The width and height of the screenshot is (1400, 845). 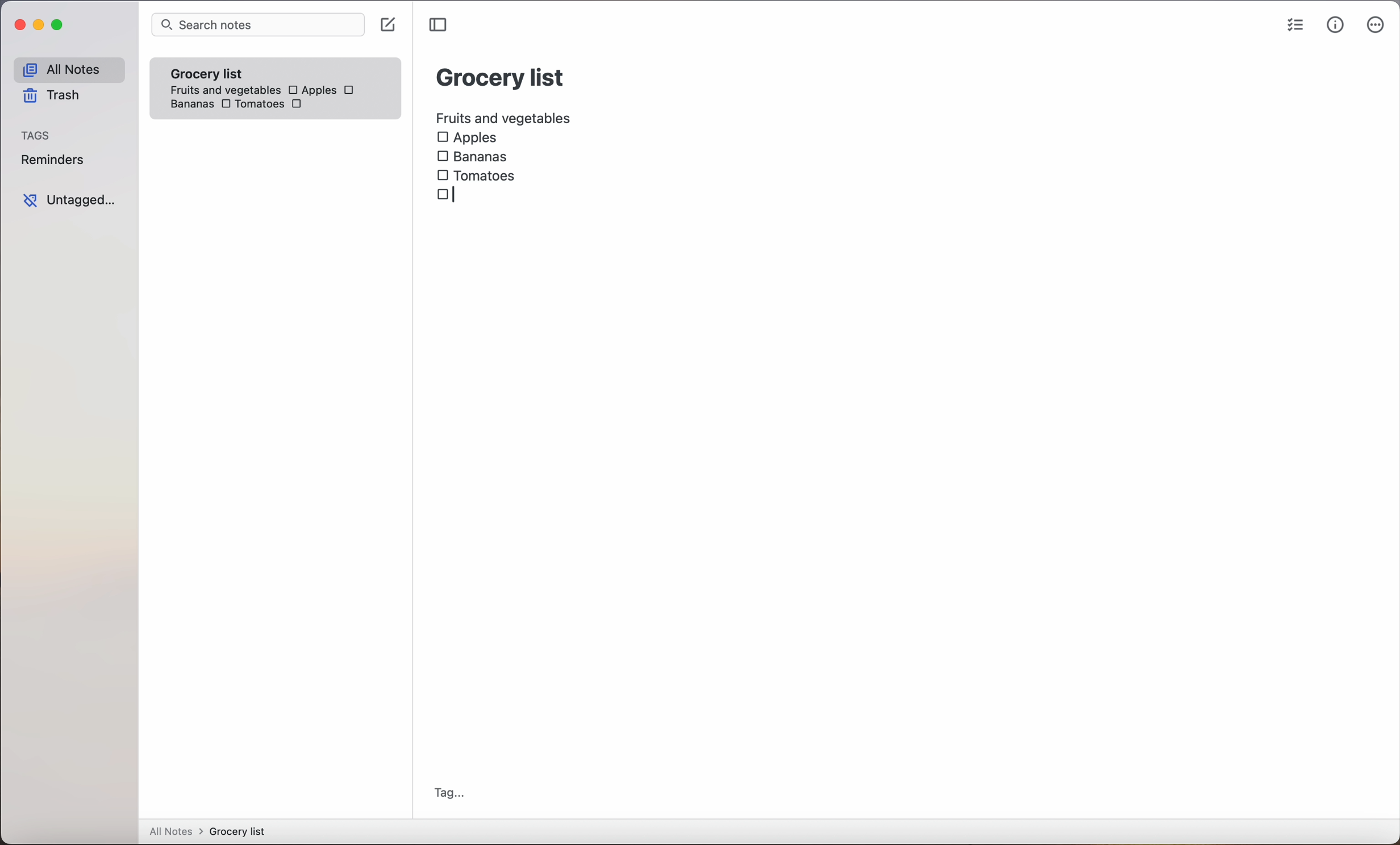 What do you see at coordinates (41, 27) in the screenshot?
I see `minimize Simplenote` at bounding box center [41, 27].